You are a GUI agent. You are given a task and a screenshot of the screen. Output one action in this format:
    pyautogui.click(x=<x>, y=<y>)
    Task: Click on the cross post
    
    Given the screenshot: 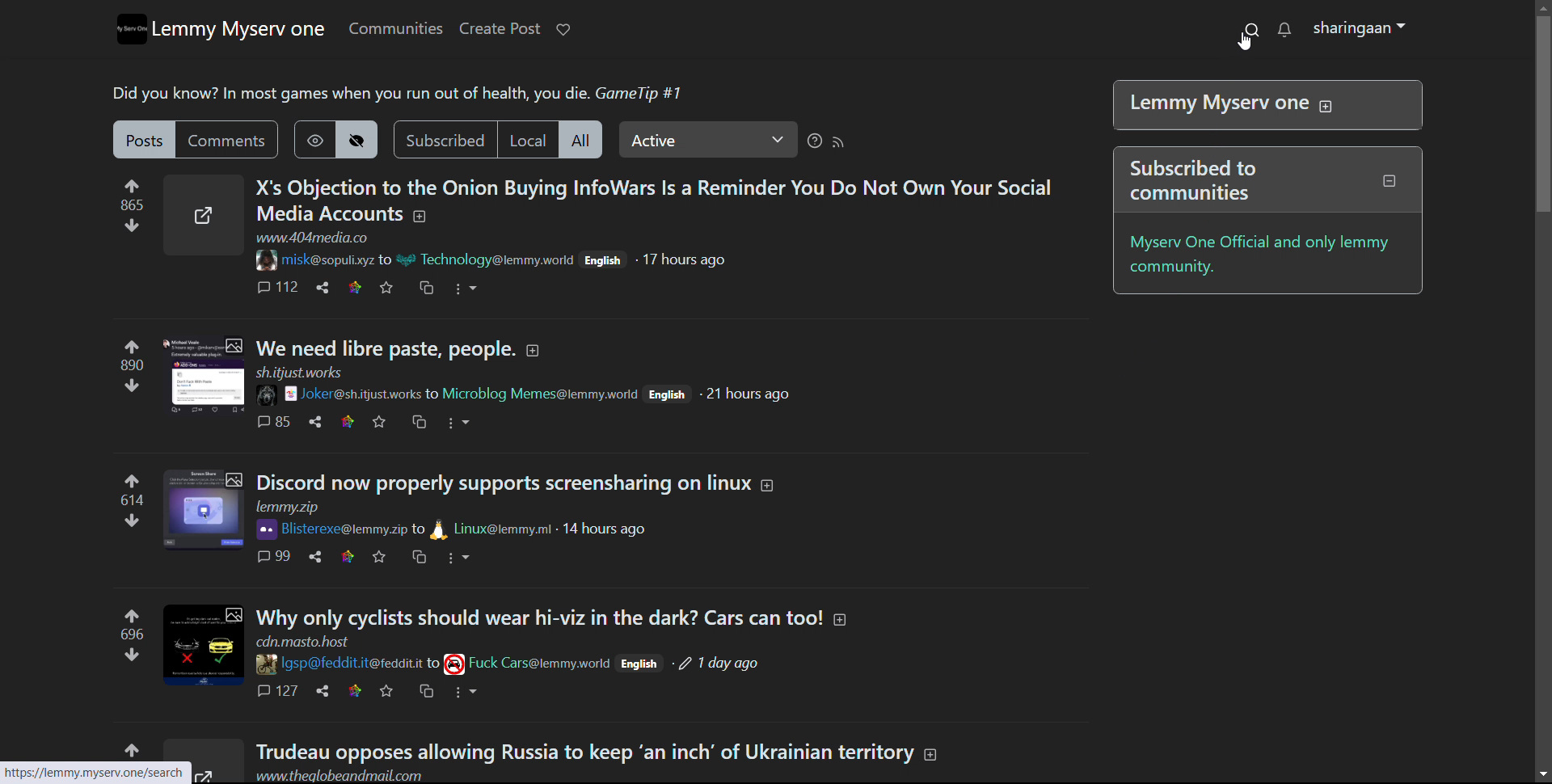 What is the action you would take?
    pyautogui.click(x=427, y=690)
    